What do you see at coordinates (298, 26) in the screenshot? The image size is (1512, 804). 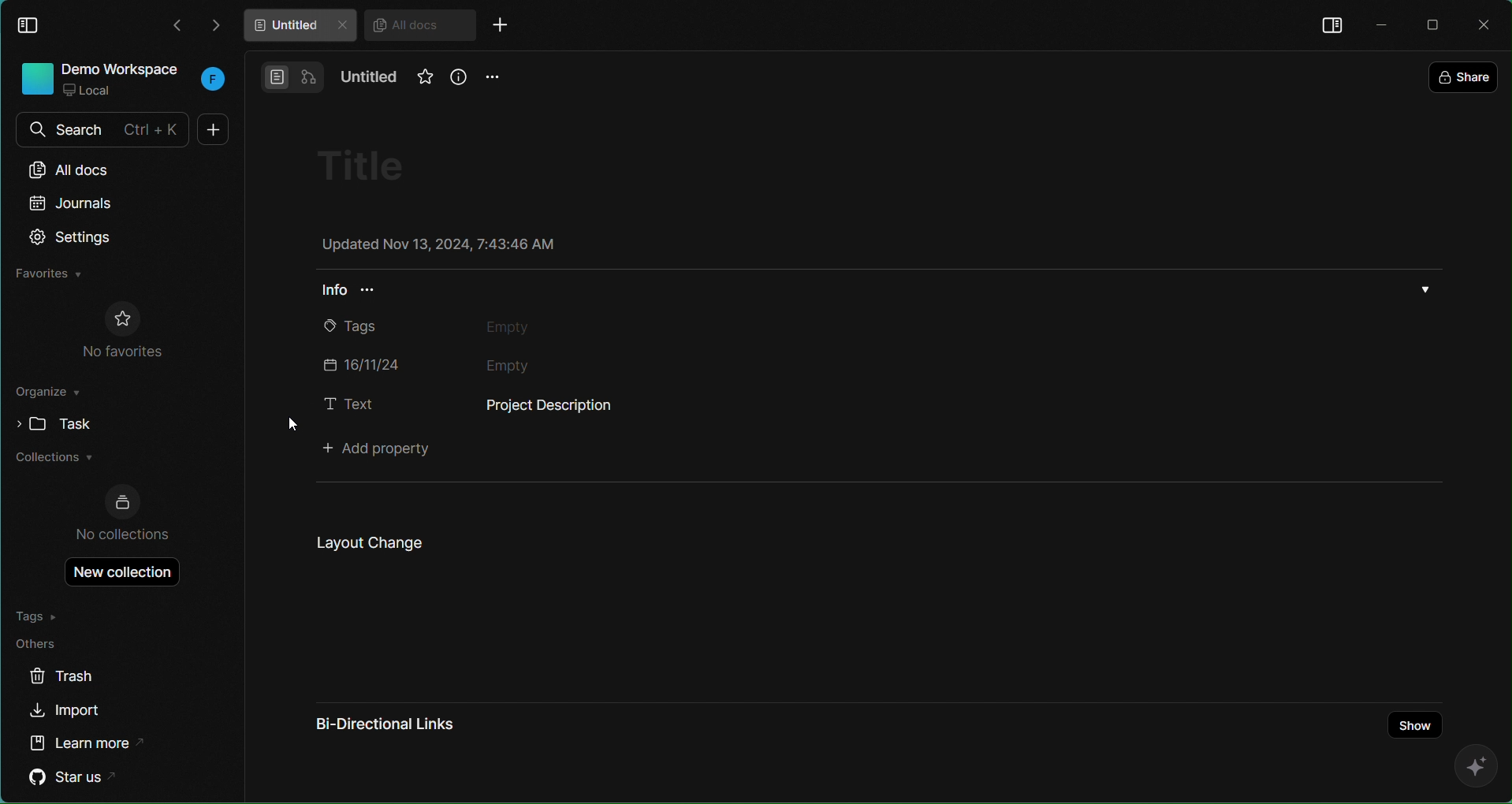 I see `( Untitled` at bounding box center [298, 26].